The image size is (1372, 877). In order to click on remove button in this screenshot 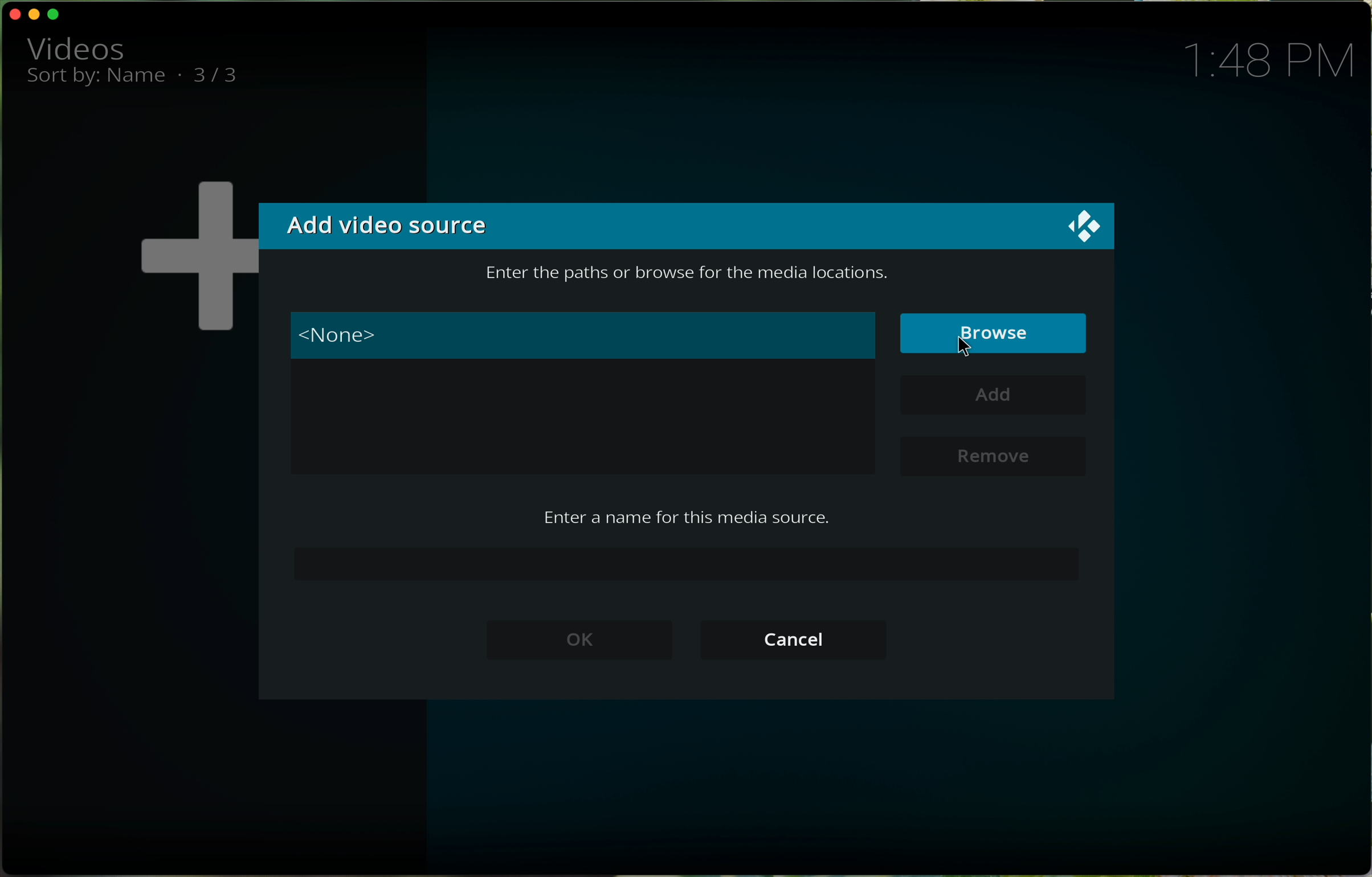, I will do `click(990, 454)`.